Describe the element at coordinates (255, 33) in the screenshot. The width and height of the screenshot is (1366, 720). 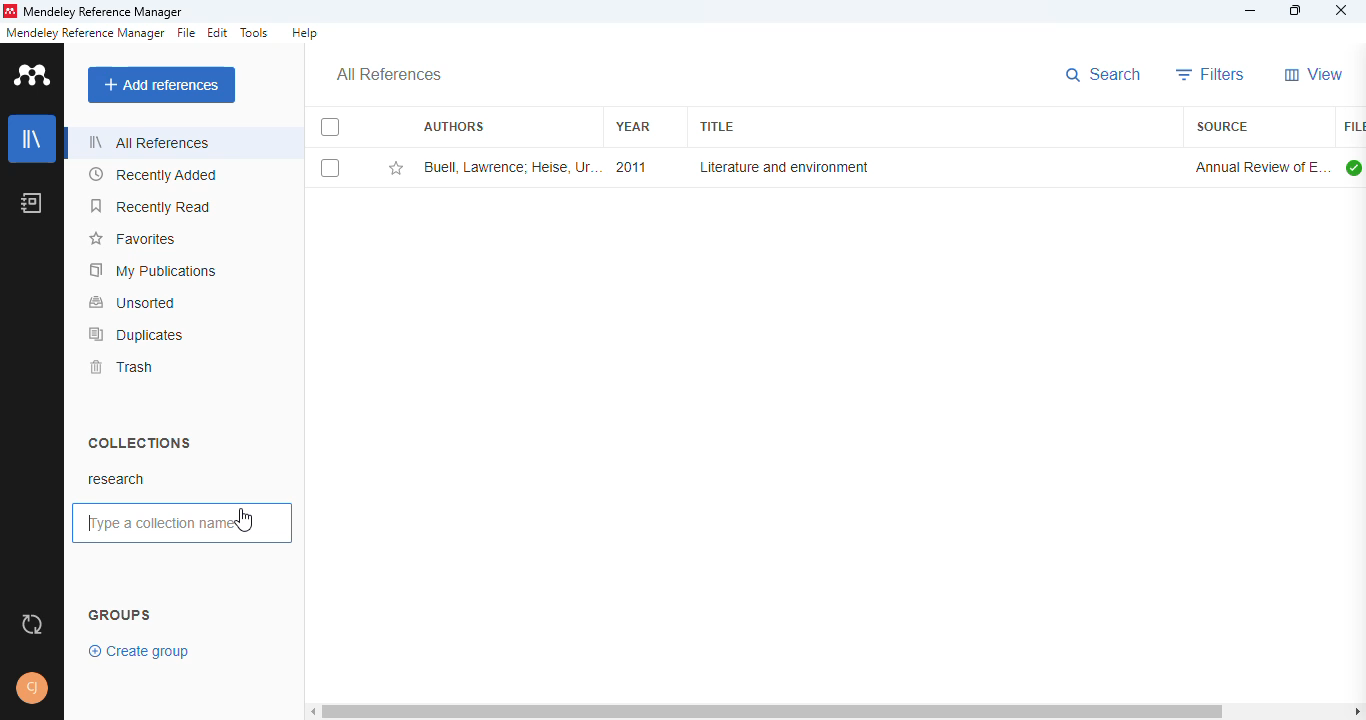
I see `tools` at that location.